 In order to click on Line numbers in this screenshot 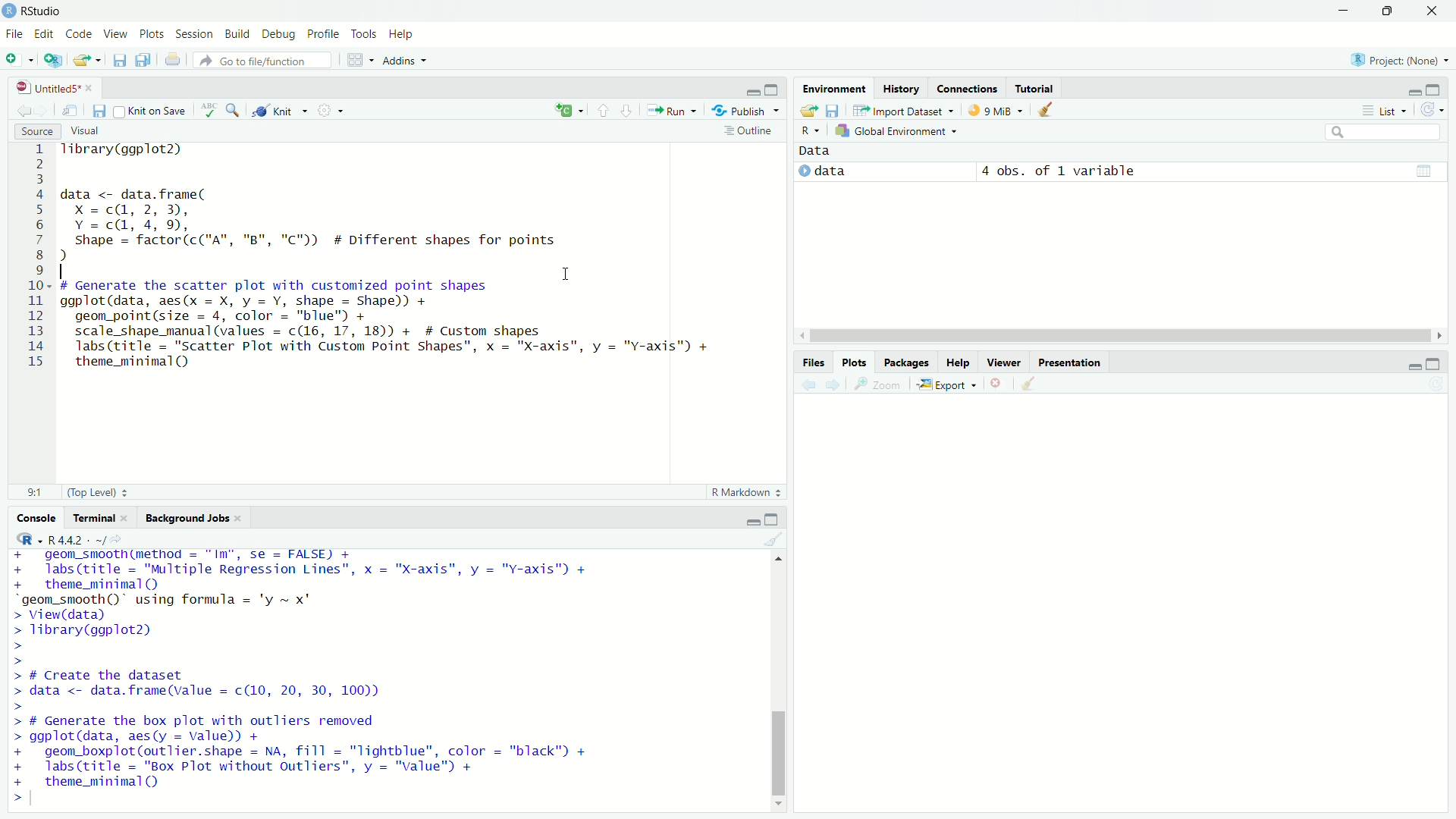, I will do `click(37, 257)`.